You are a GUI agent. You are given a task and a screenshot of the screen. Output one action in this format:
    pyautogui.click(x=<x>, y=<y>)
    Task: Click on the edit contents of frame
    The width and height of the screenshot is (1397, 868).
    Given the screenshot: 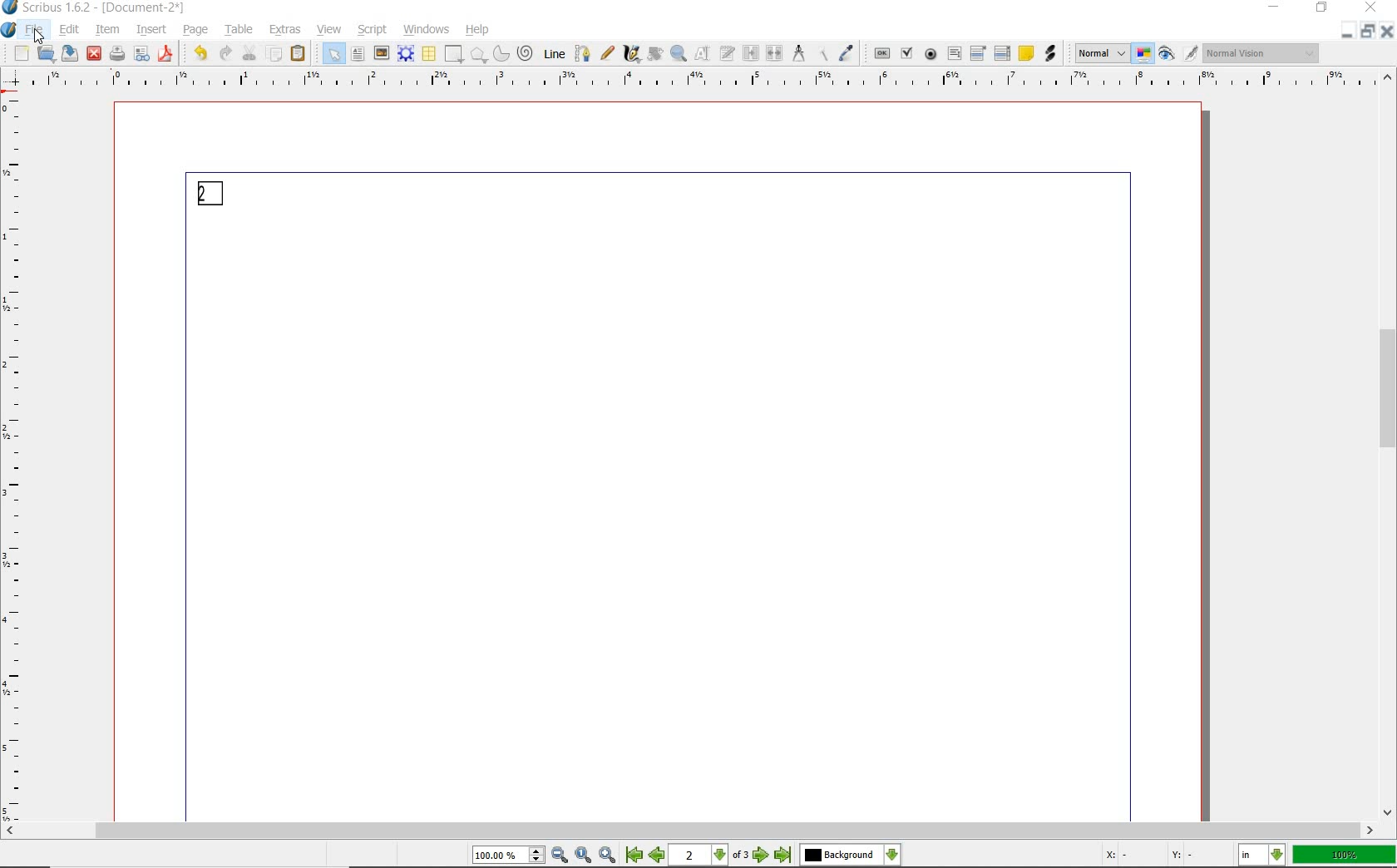 What is the action you would take?
    pyautogui.click(x=704, y=54)
    